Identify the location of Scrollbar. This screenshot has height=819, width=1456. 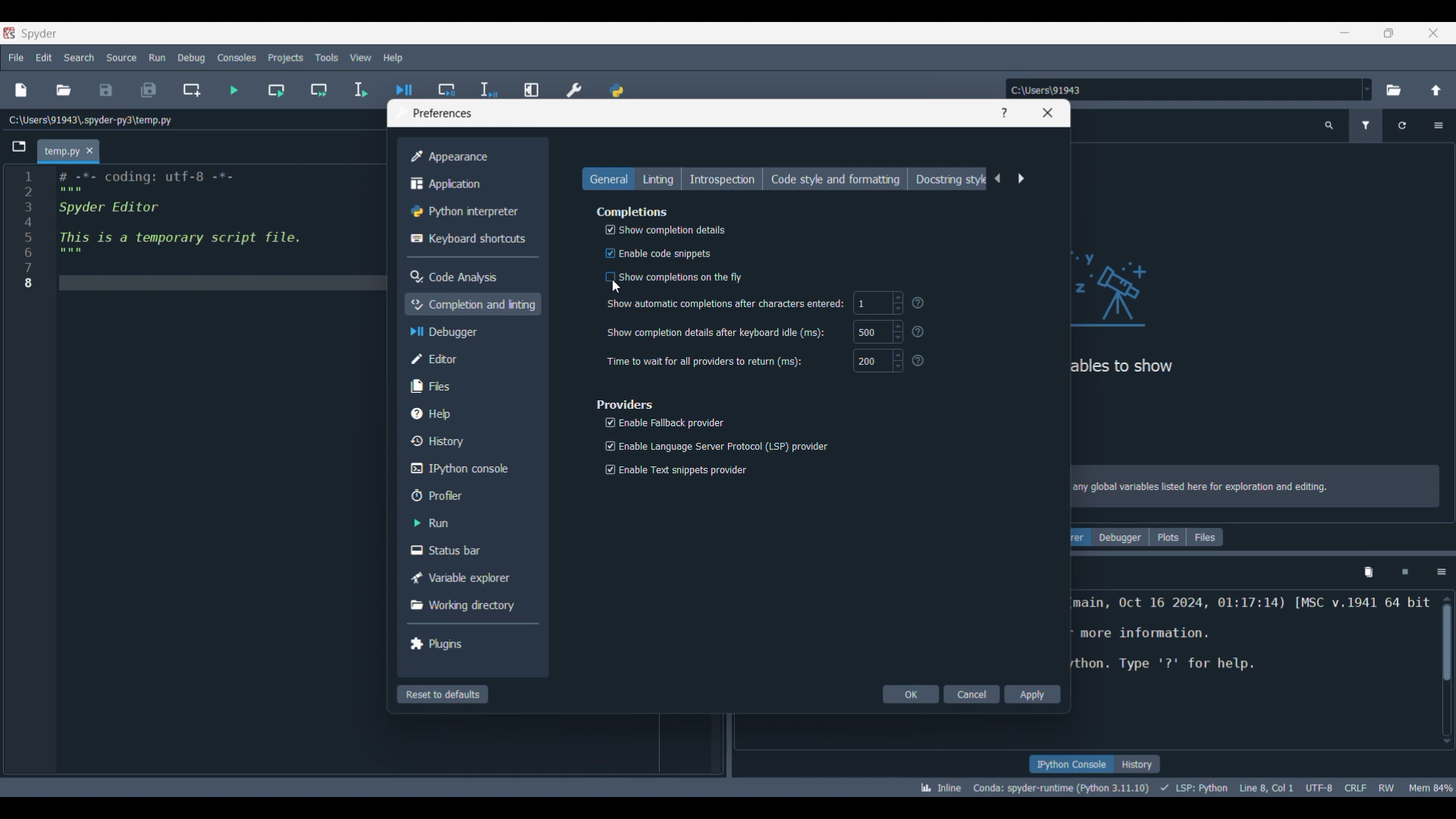
(1447, 651).